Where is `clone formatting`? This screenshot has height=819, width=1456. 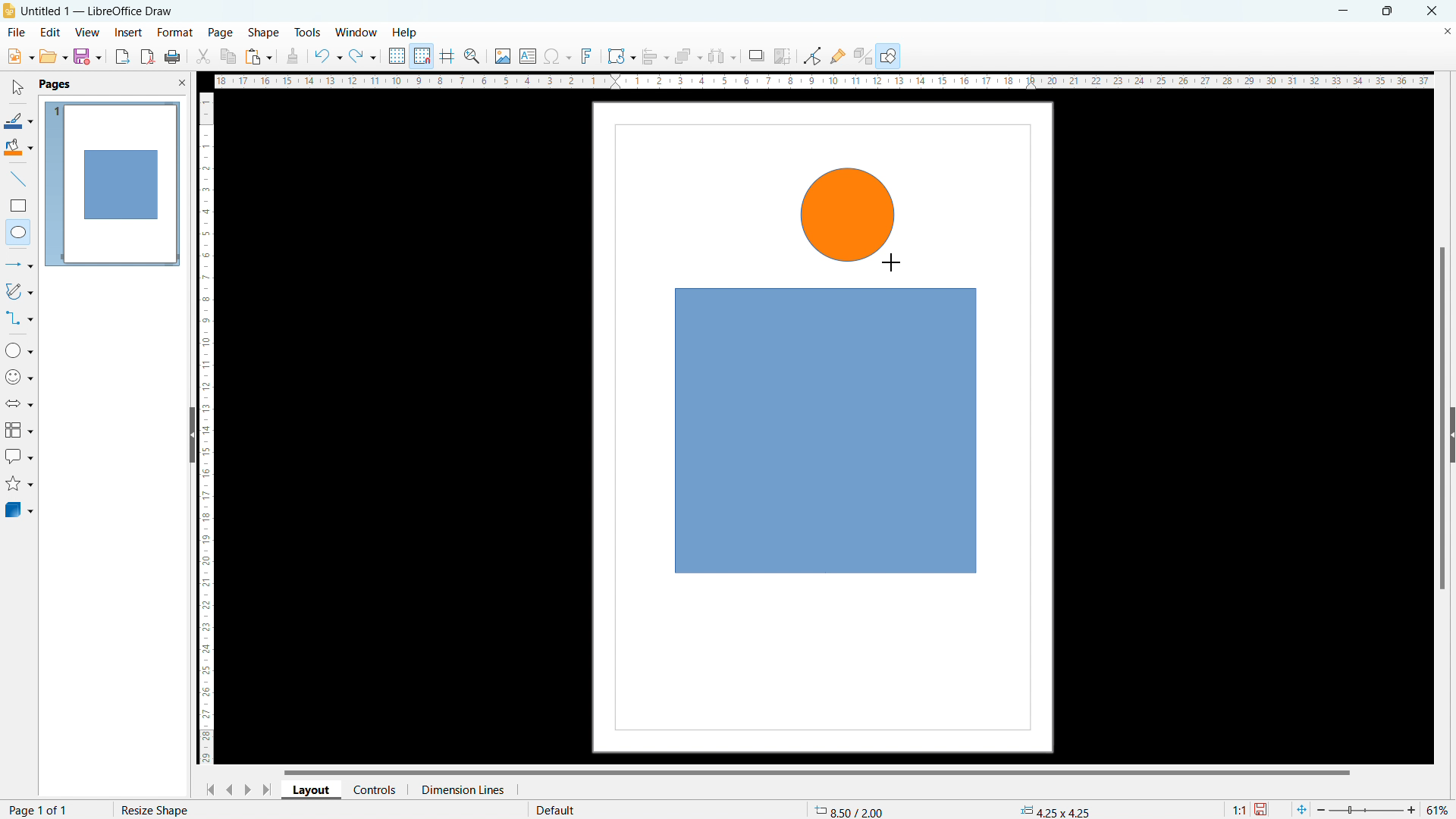 clone formatting is located at coordinates (293, 57).